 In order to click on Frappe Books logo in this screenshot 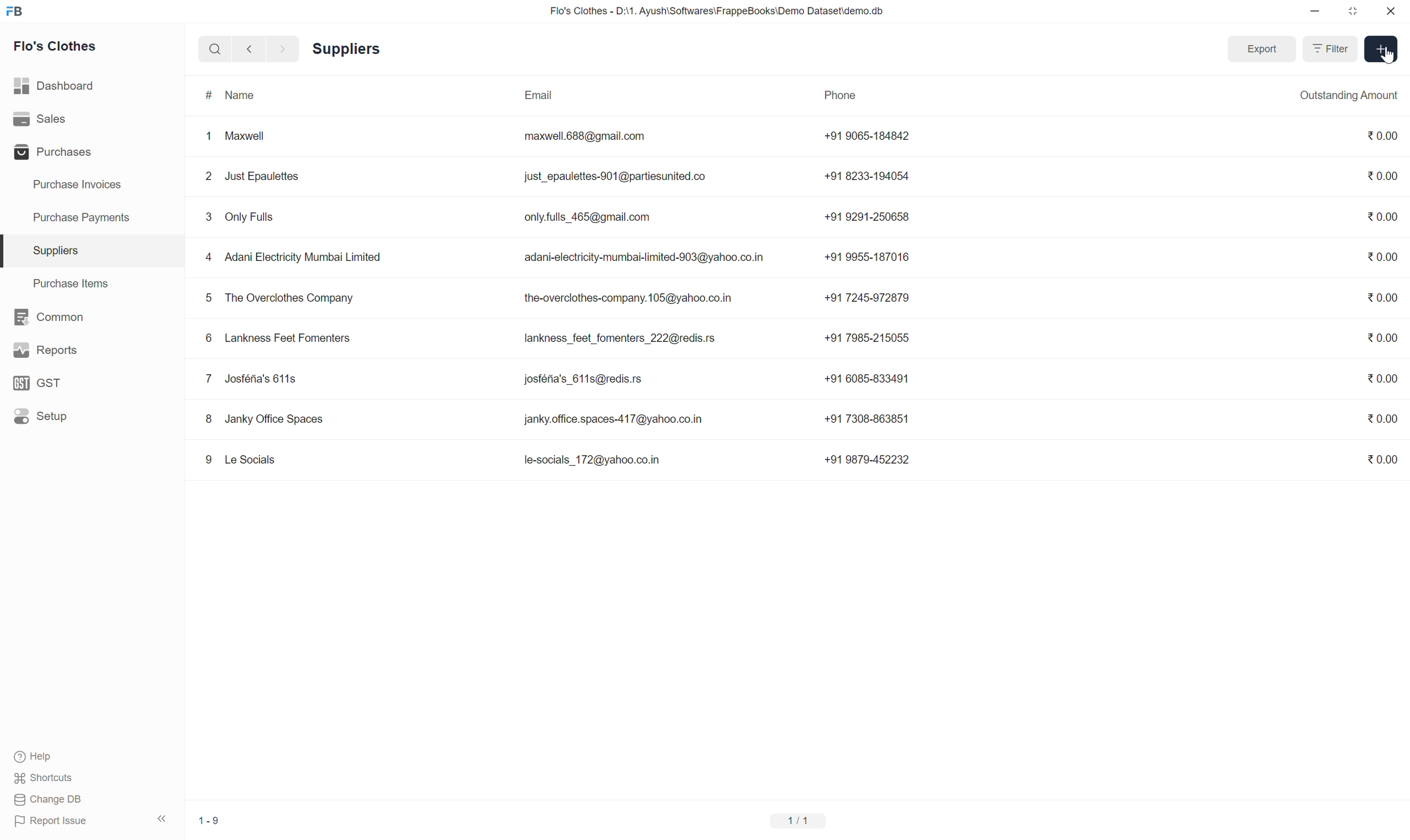, I will do `click(14, 11)`.